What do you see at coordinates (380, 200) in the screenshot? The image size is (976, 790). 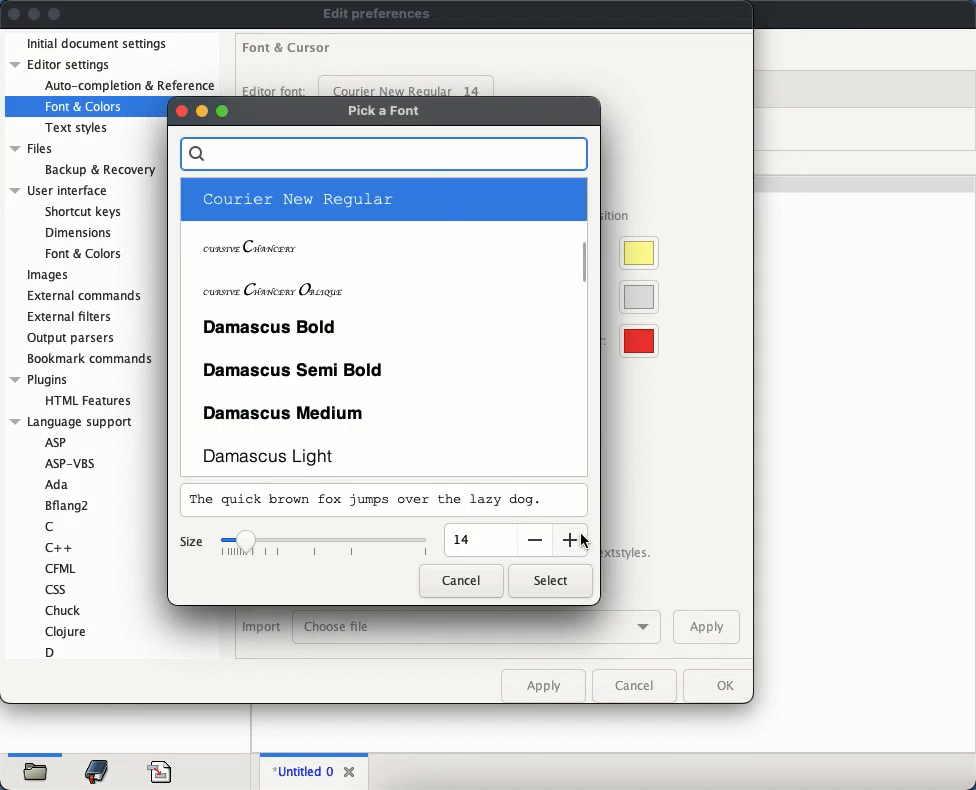 I see `courier new regular` at bounding box center [380, 200].